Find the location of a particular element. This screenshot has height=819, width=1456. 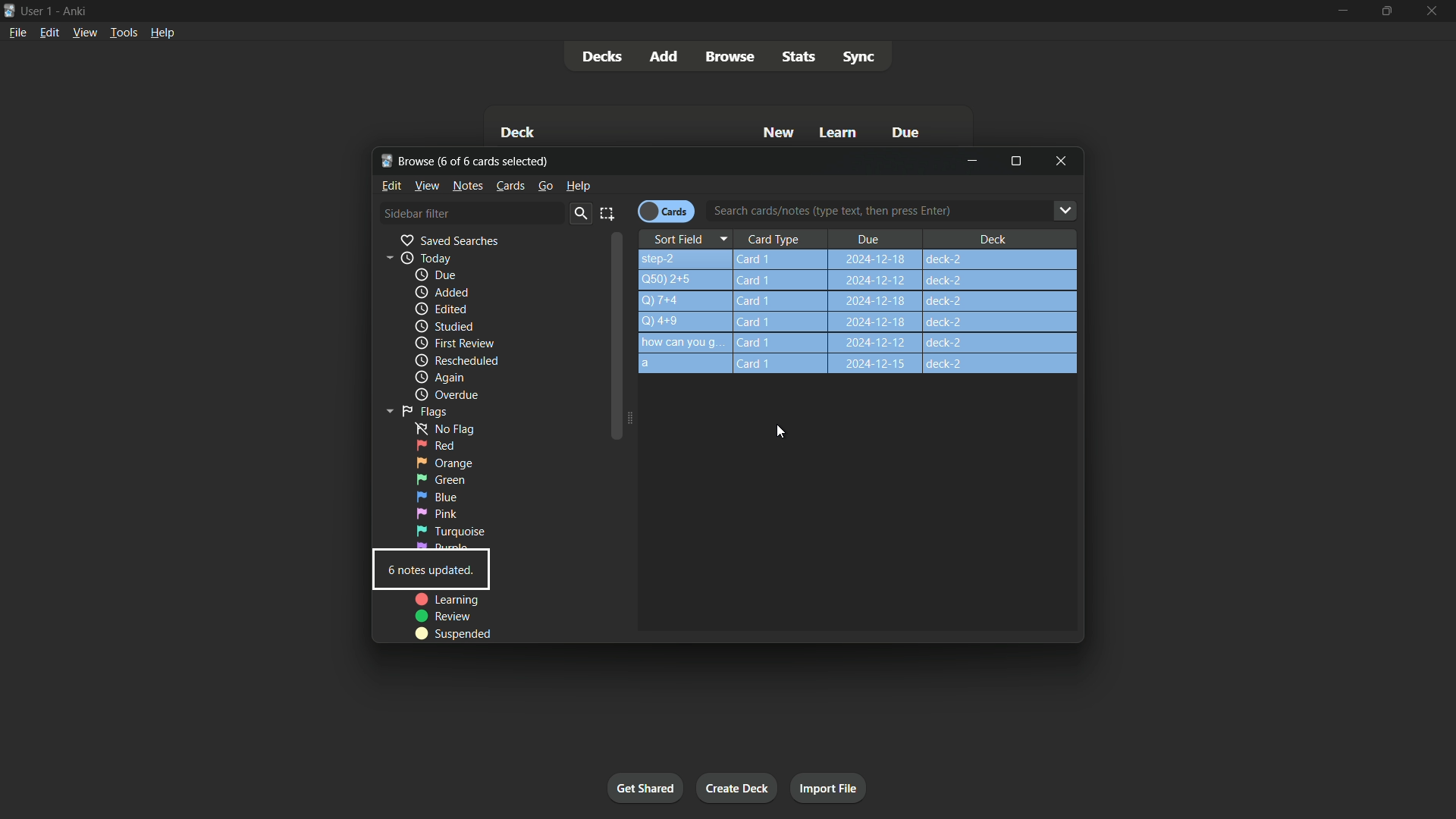

Close app is located at coordinates (1436, 11).